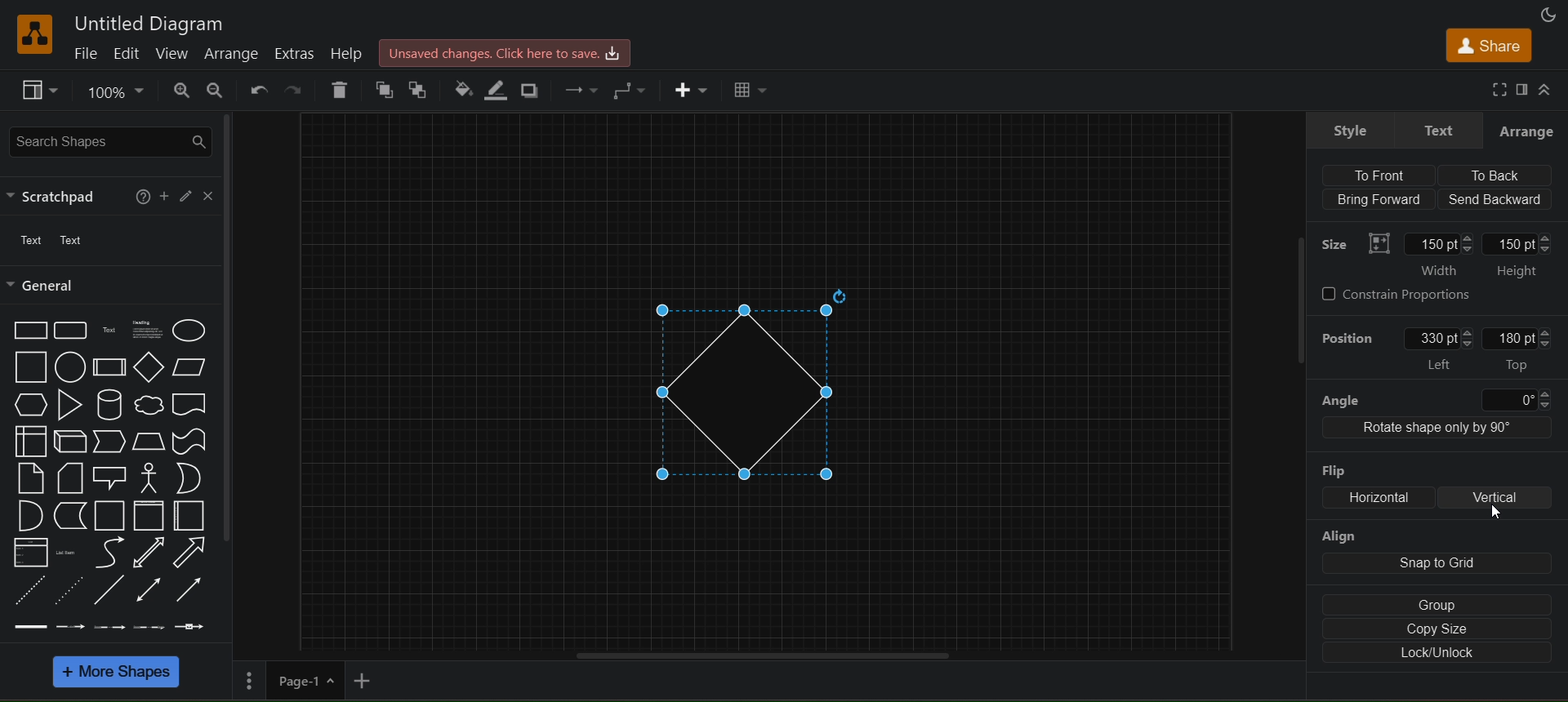 This screenshot has height=702, width=1568. Describe the element at coordinates (1525, 89) in the screenshot. I see `format` at that location.